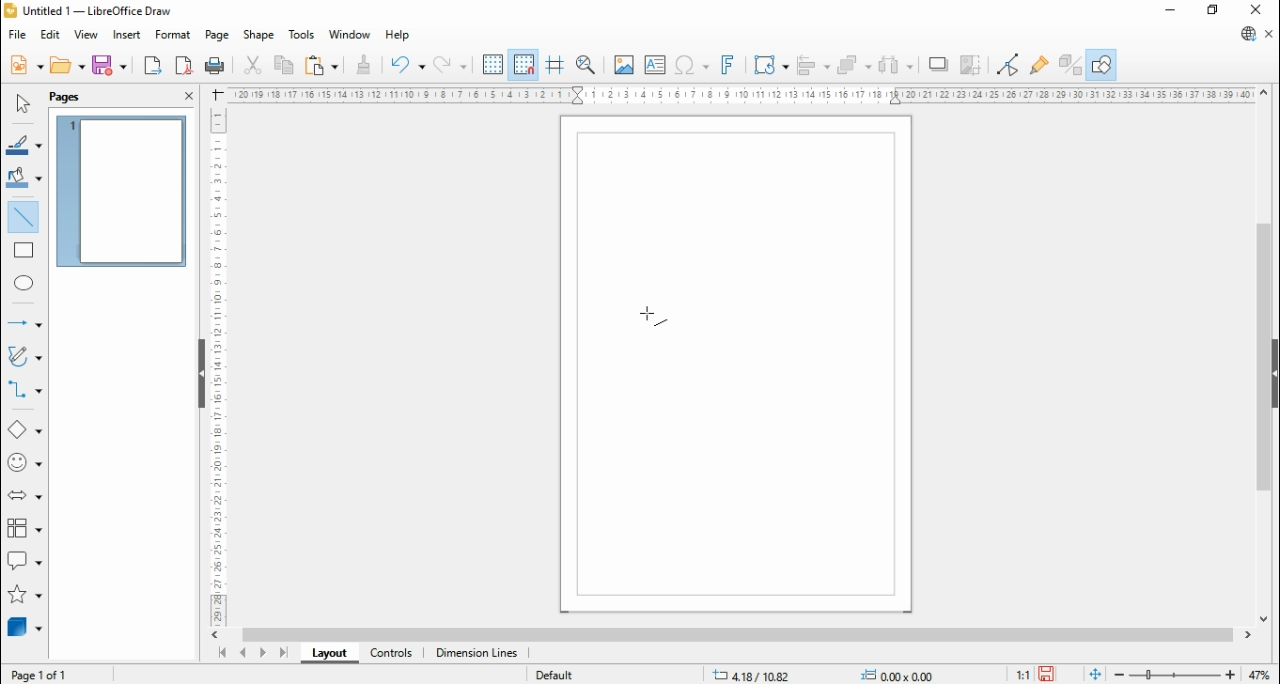  What do you see at coordinates (303, 35) in the screenshot?
I see `tools` at bounding box center [303, 35].